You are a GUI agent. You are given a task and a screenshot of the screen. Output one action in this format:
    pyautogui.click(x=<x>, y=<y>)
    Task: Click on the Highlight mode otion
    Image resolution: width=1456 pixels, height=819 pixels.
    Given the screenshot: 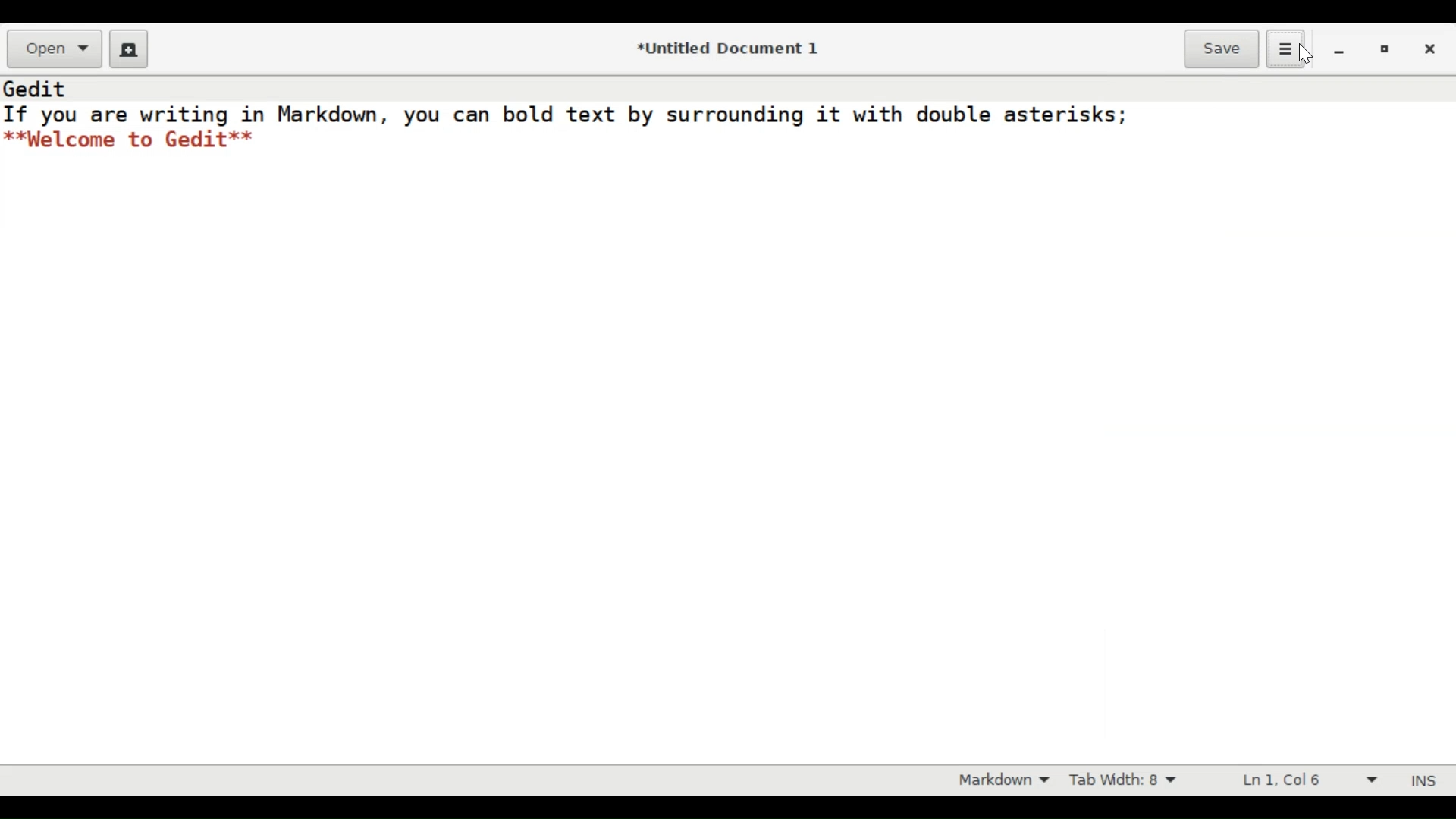 What is the action you would take?
    pyautogui.click(x=1000, y=779)
    